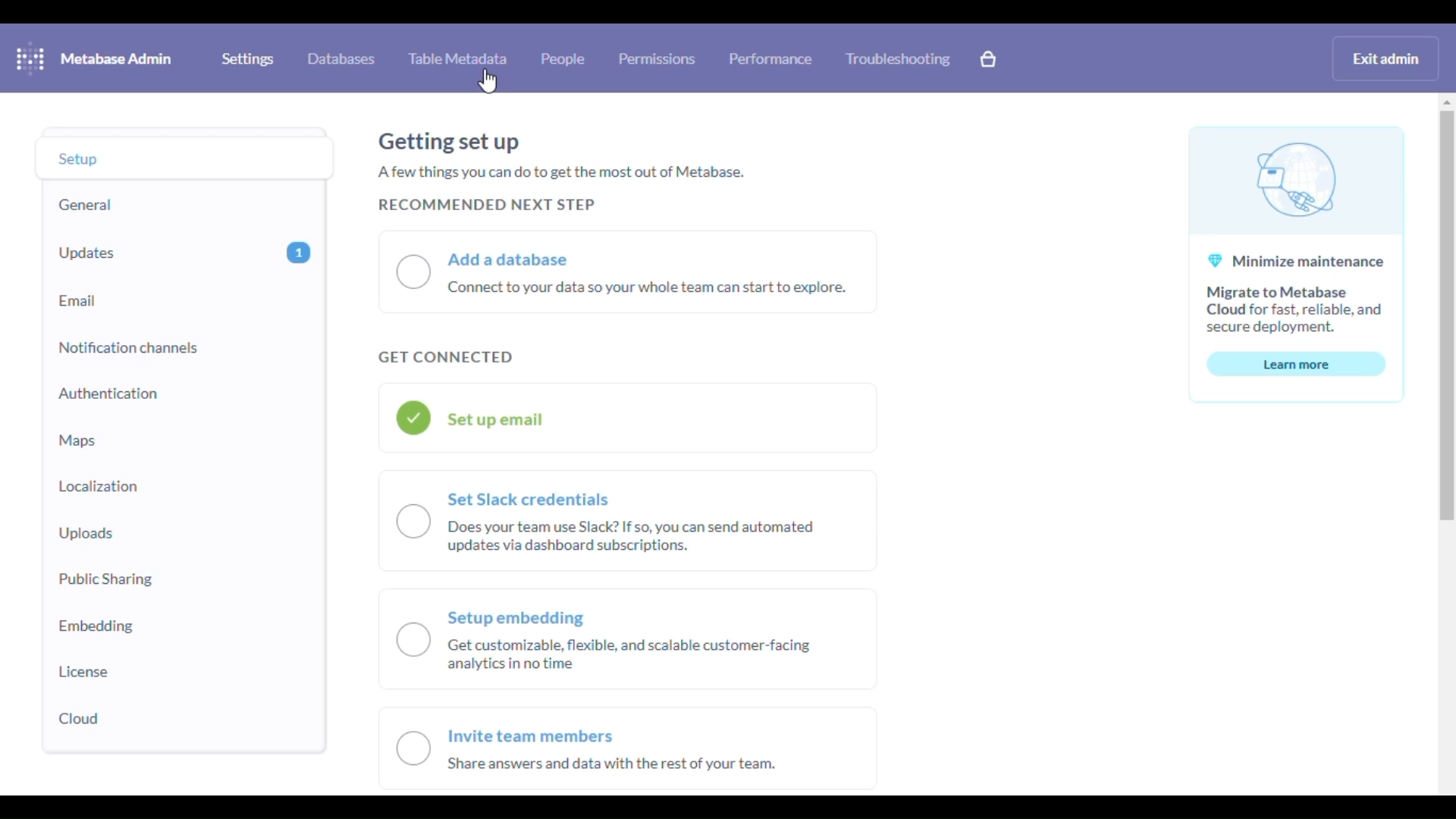  I want to click on license, so click(85, 672).